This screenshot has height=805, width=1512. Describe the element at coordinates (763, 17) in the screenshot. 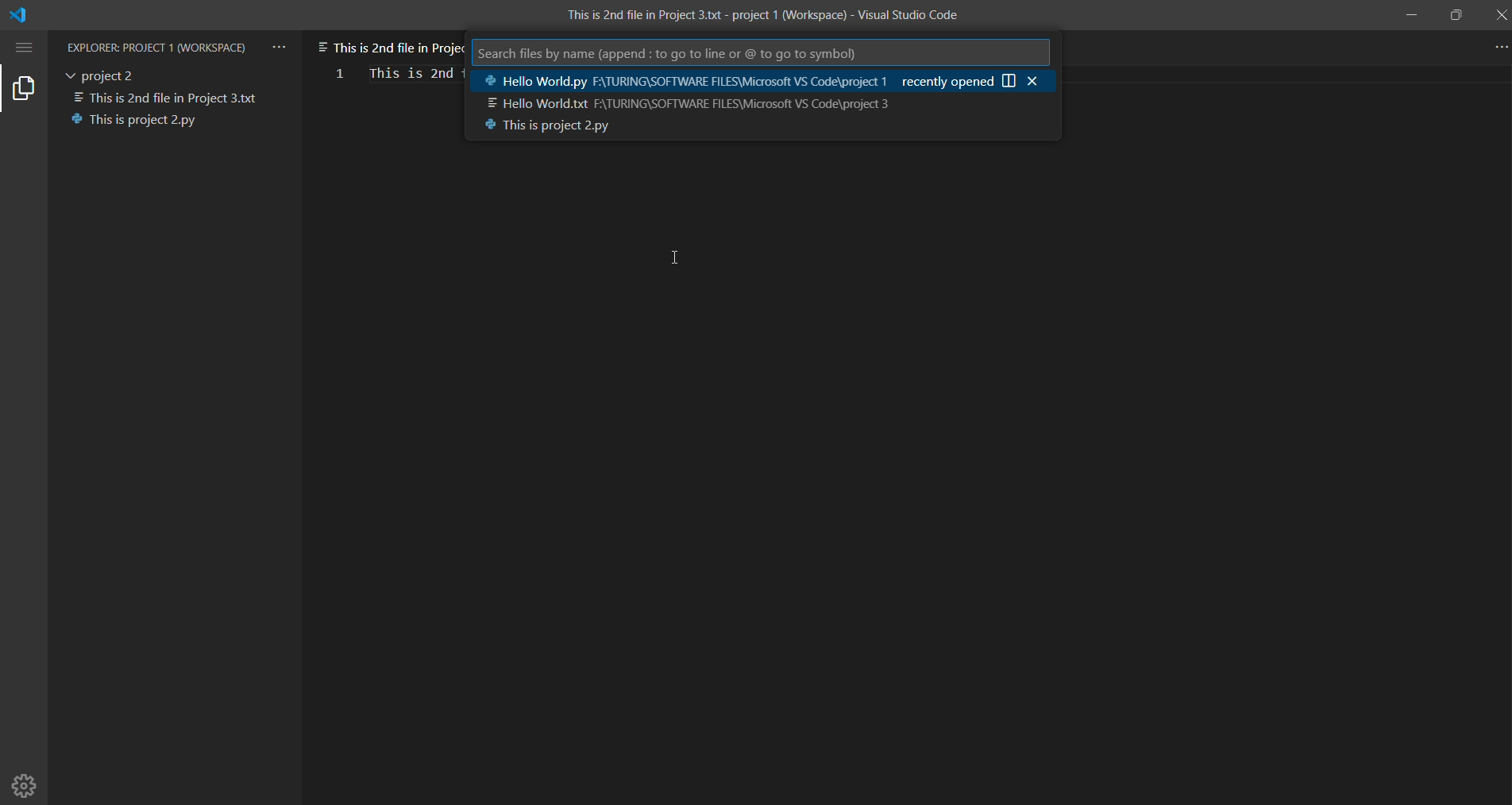

I see `This is 2nd file in Project 3.txt - project 1 (Workspace) - Visual Studio Code` at that location.